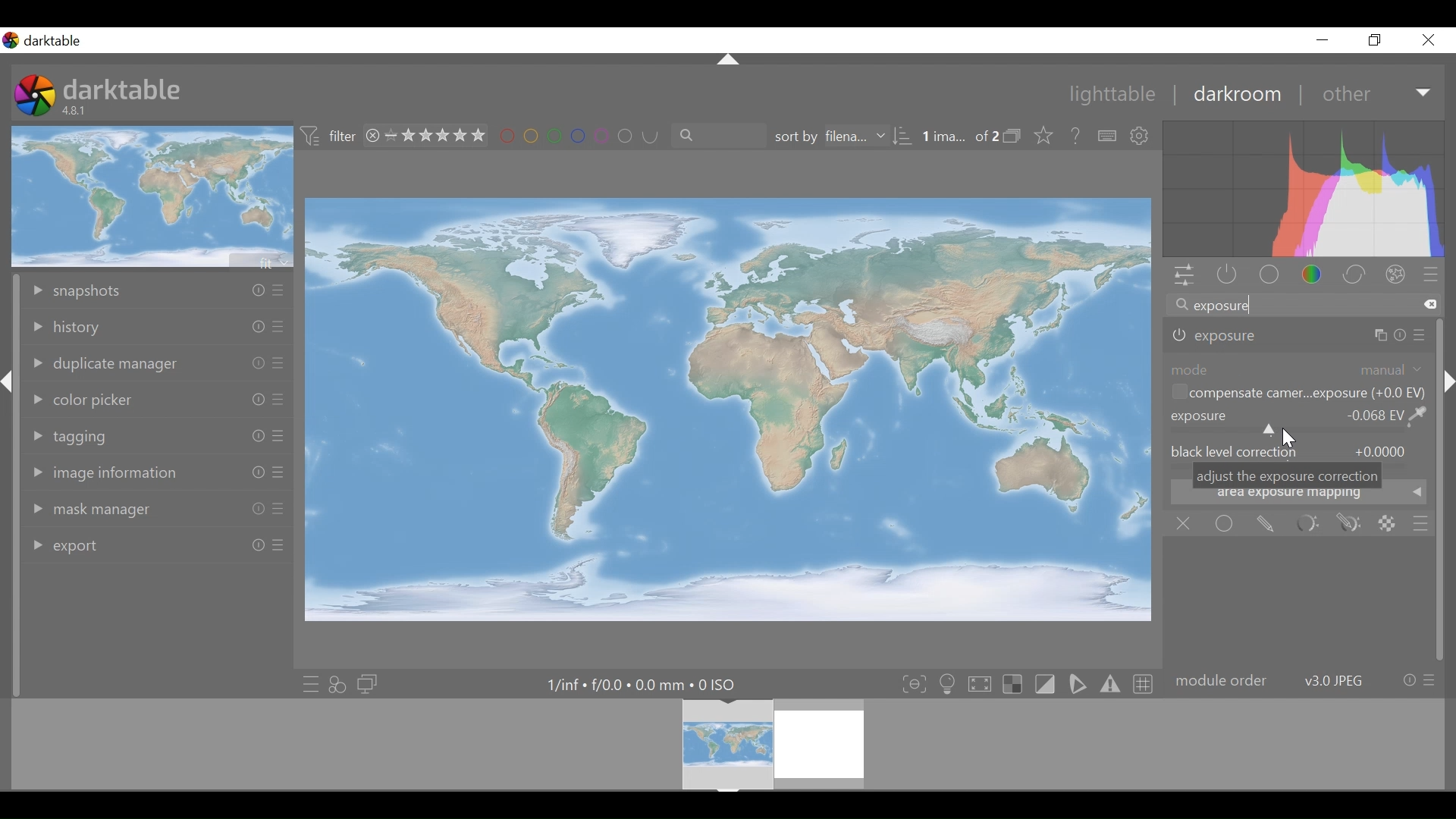 Image resolution: width=1456 pixels, height=819 pixels. What do you see at coordinates (369, 683) in the screenshot?
I see `display a second darkroom to display` at bounding box center [369, 683].